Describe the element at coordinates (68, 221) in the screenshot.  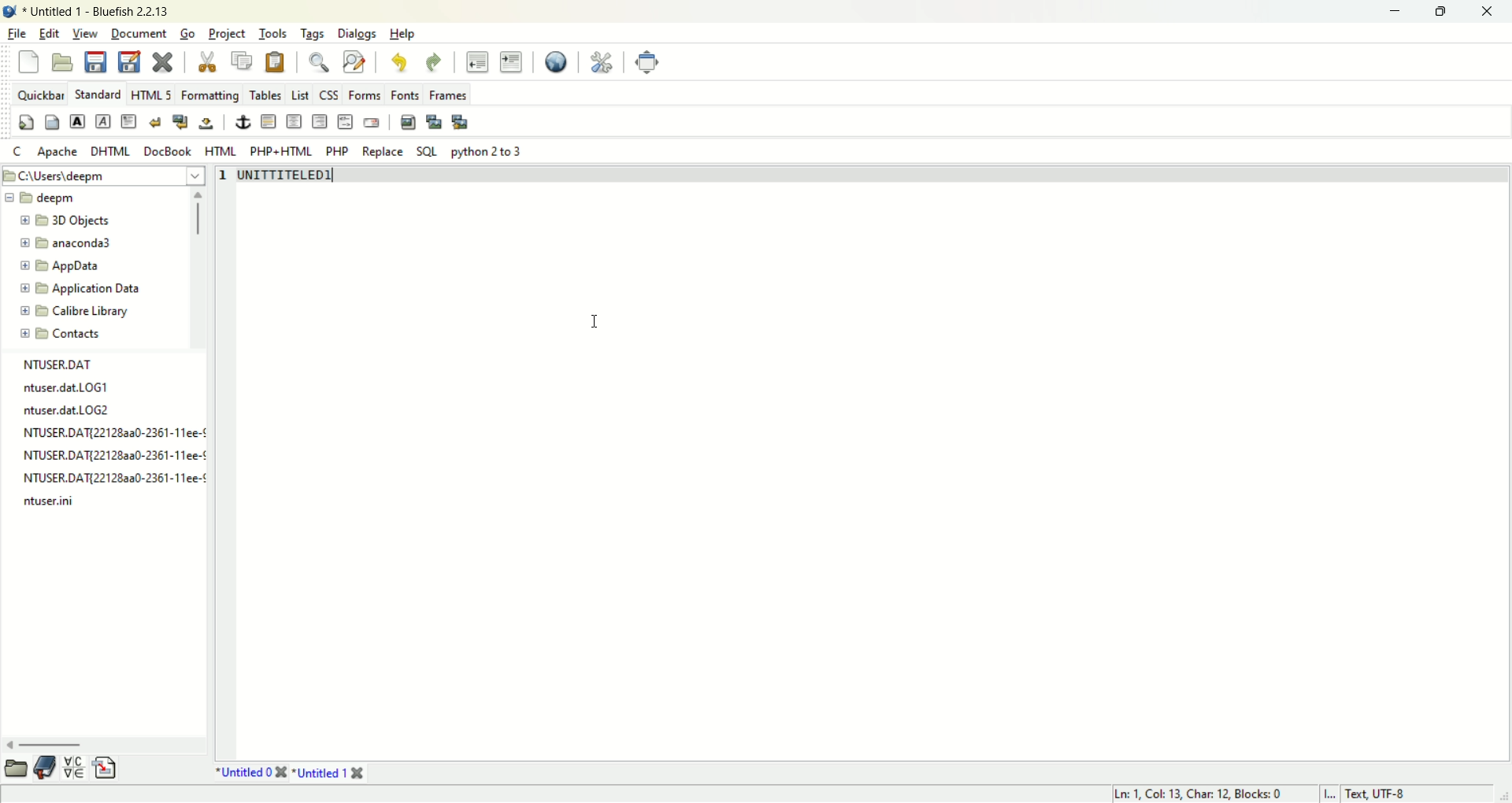
I see `3D objects` at that location.